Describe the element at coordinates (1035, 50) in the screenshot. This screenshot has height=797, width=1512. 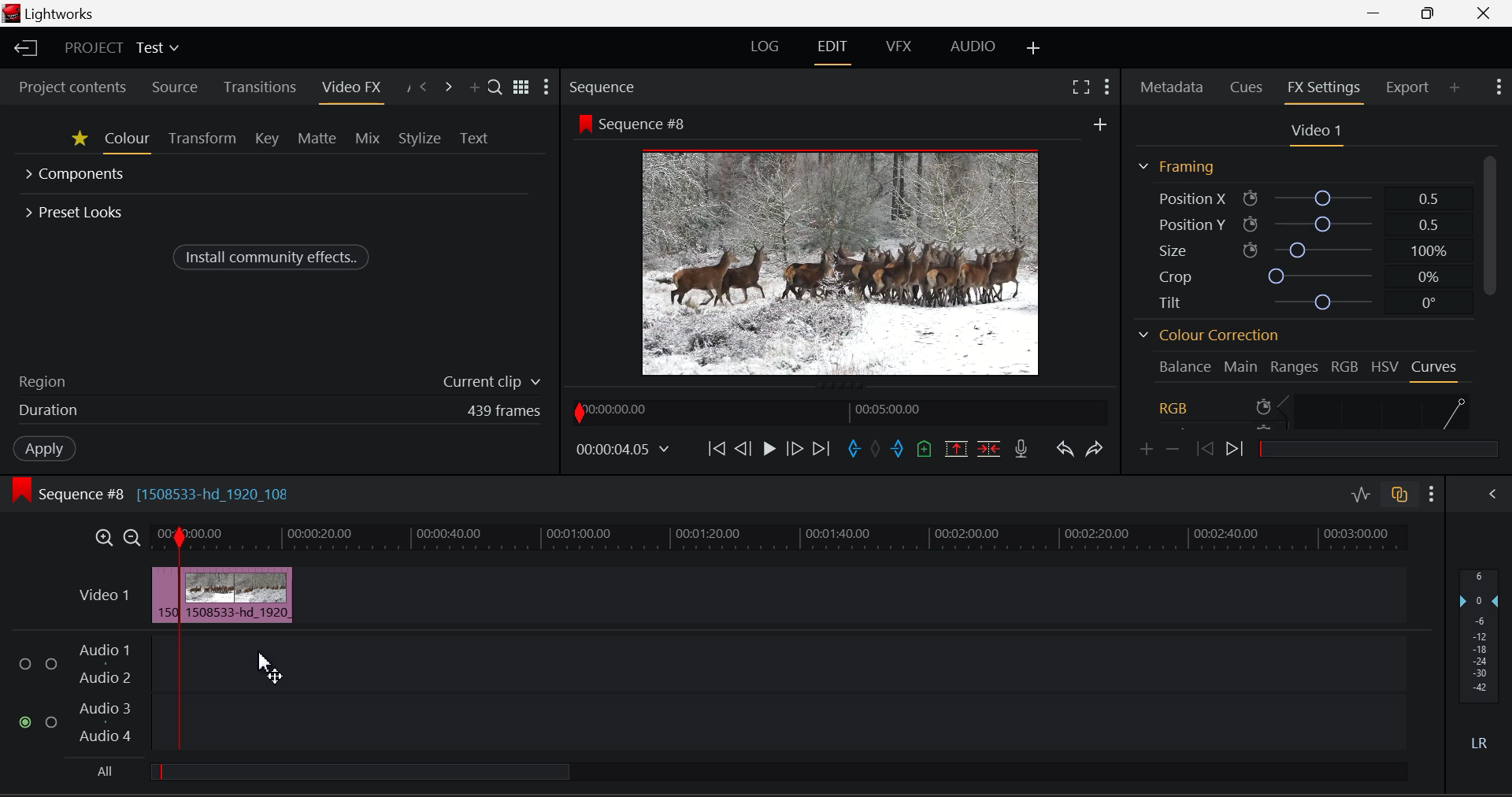
I see `Add Layout` at that location.